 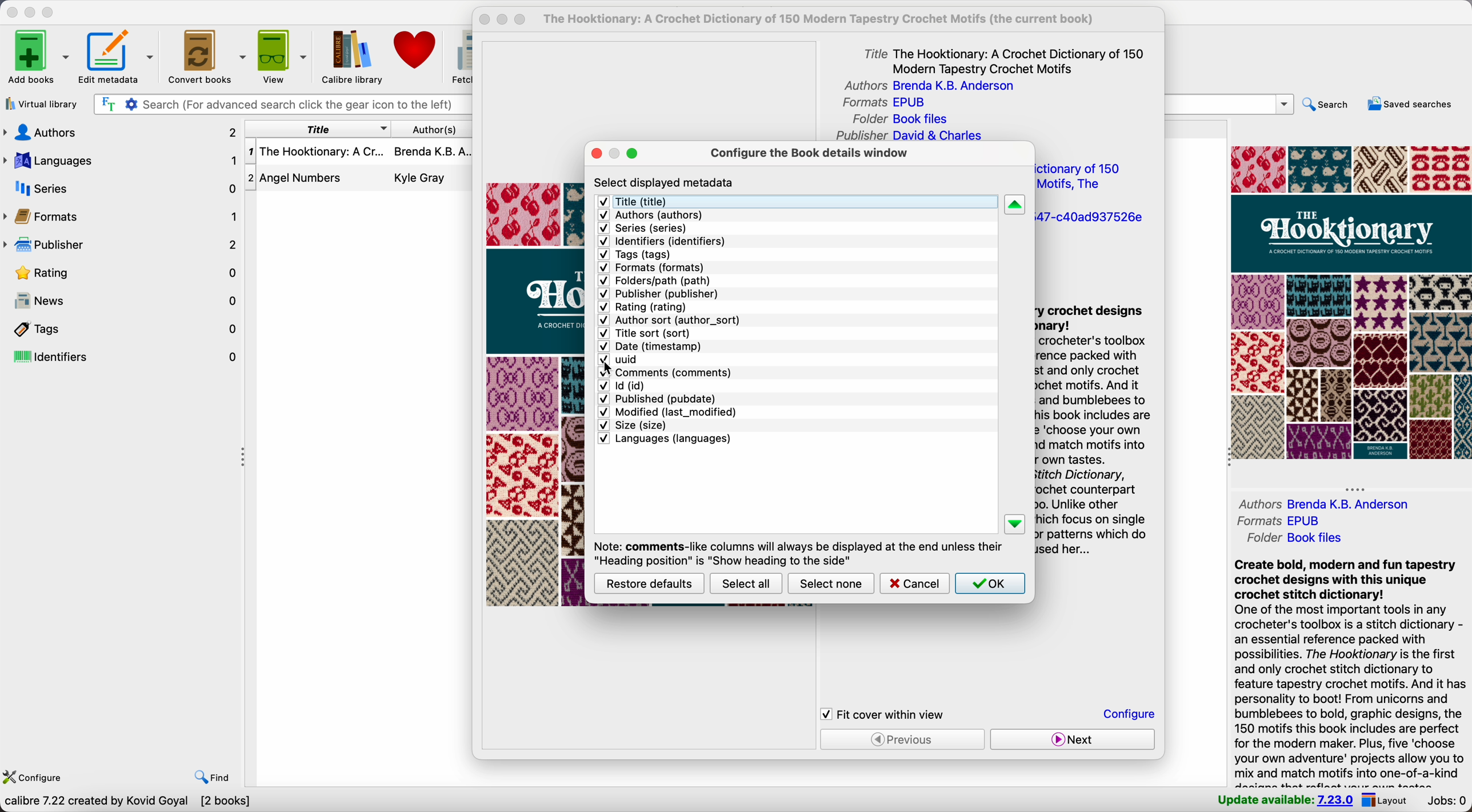 I want to click on minimize, so click(x=33, y=11).